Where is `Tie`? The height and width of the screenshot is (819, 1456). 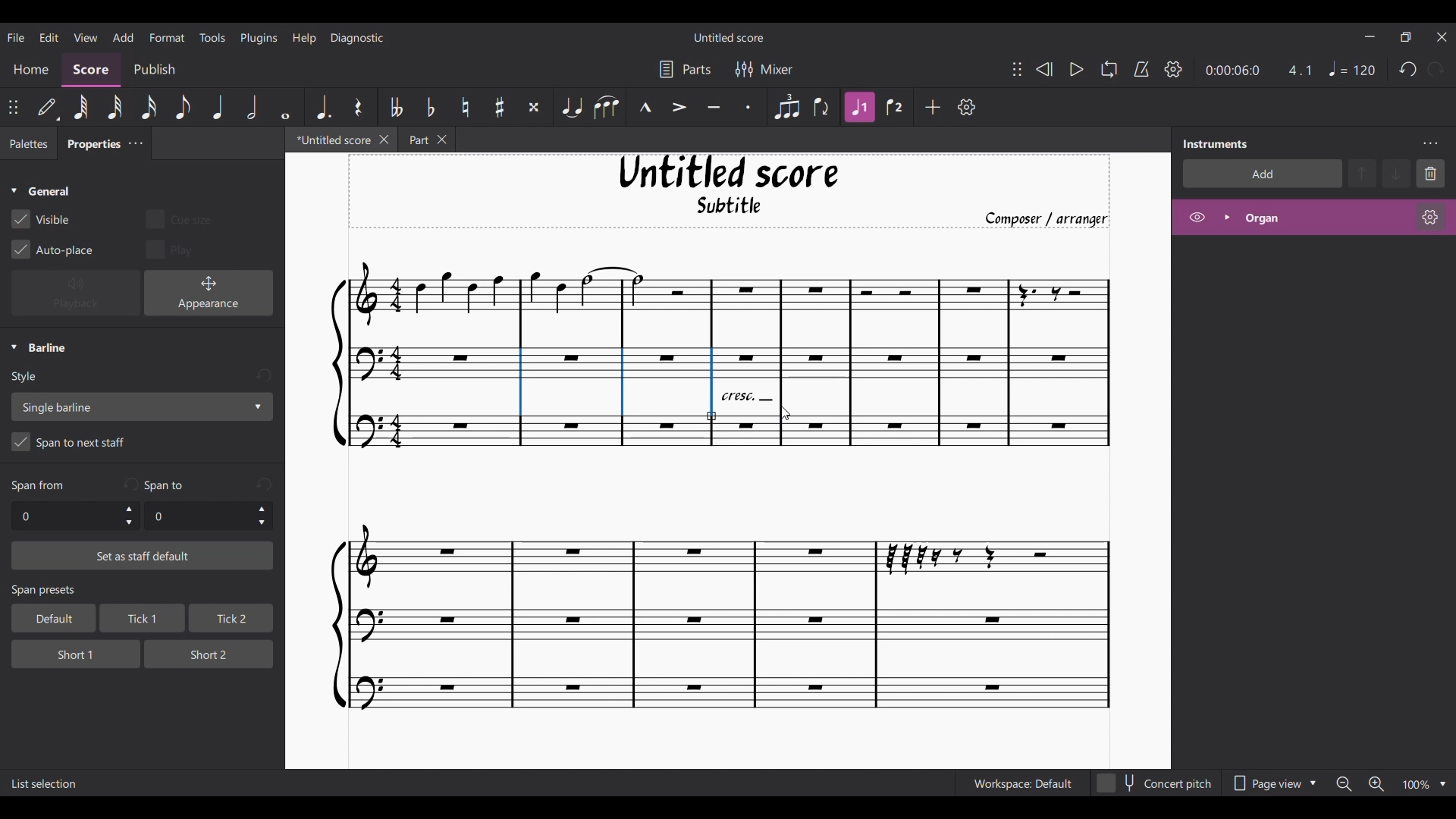
Tie is located at coordinates (571, 107).